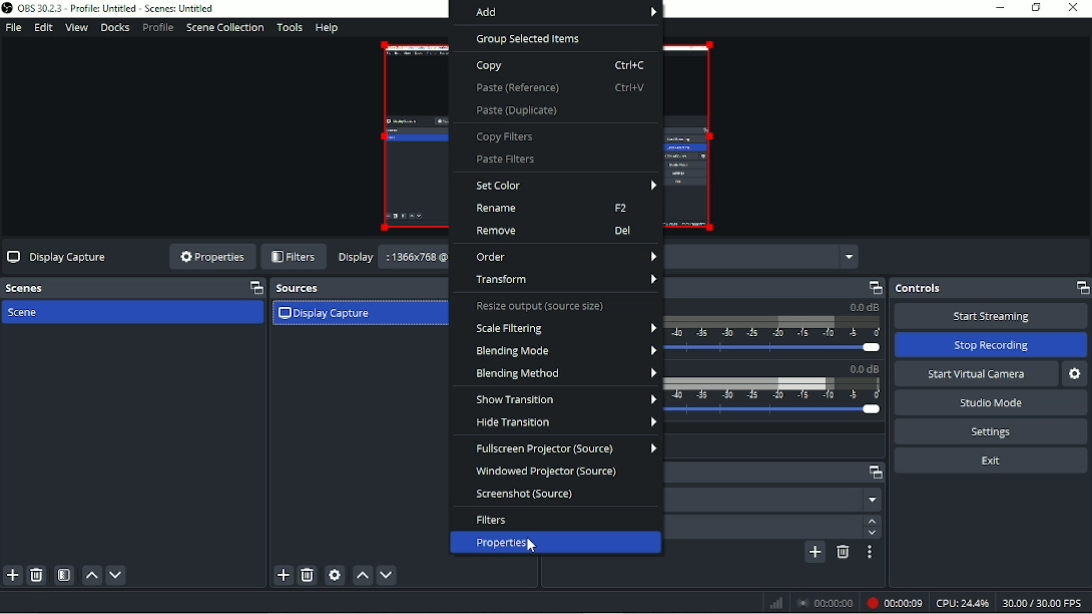  I want to click on Audio mixer, so click(777, 287).